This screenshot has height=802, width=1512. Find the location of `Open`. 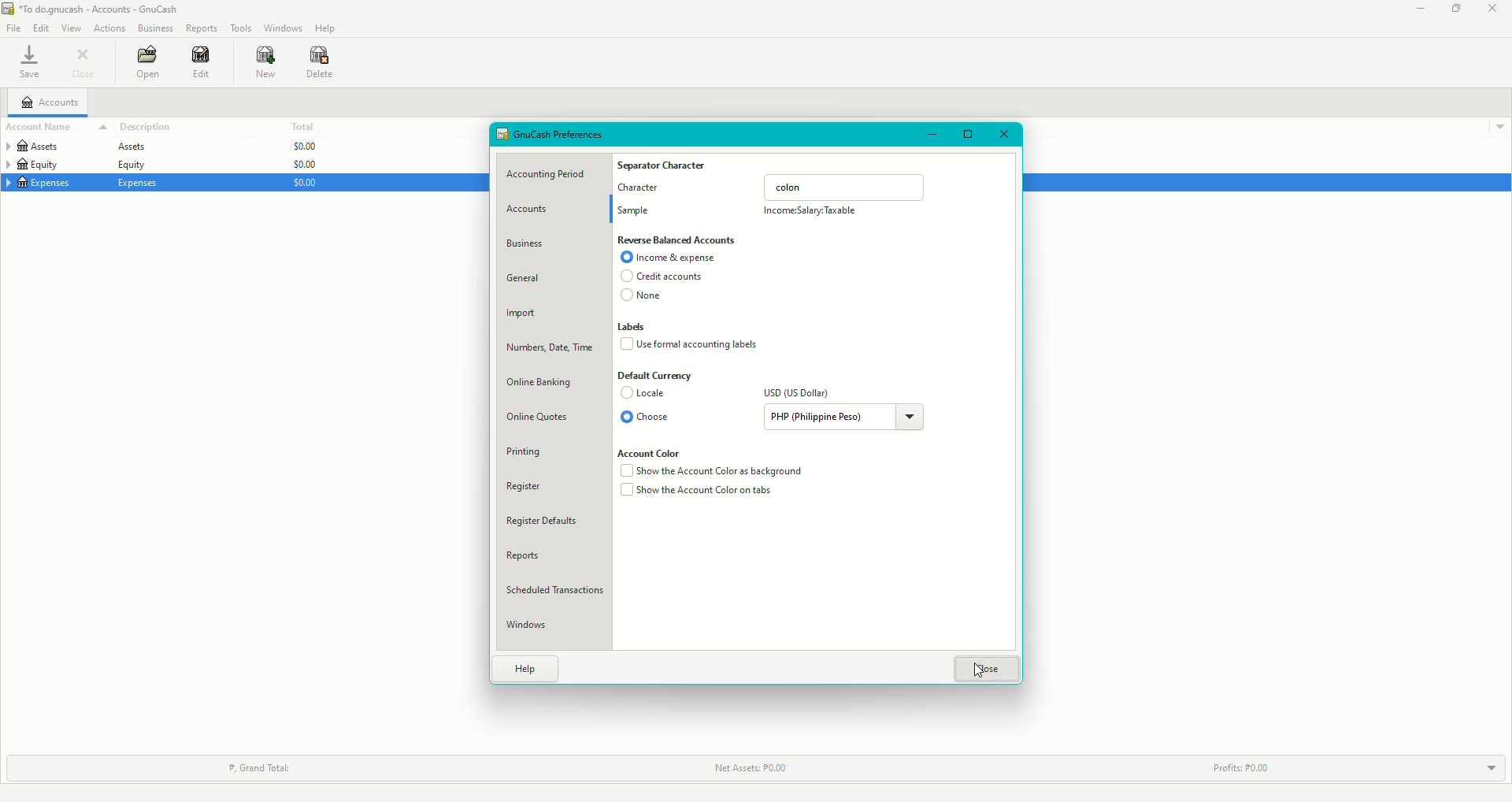

Open is located at coordinates (149, 61).